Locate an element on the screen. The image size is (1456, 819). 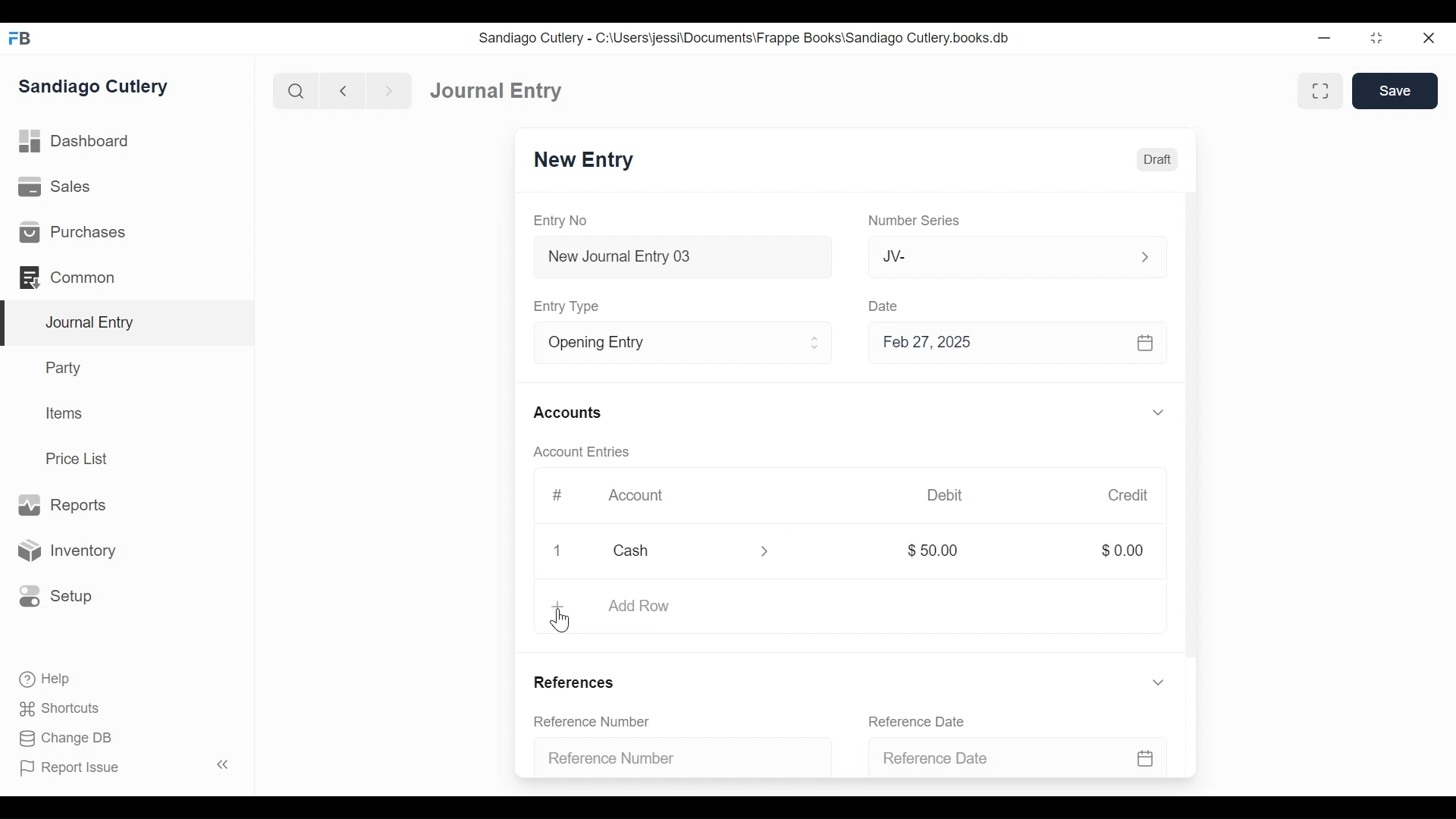
Vertical Scroll bar is located at coordinates (1193, 439).